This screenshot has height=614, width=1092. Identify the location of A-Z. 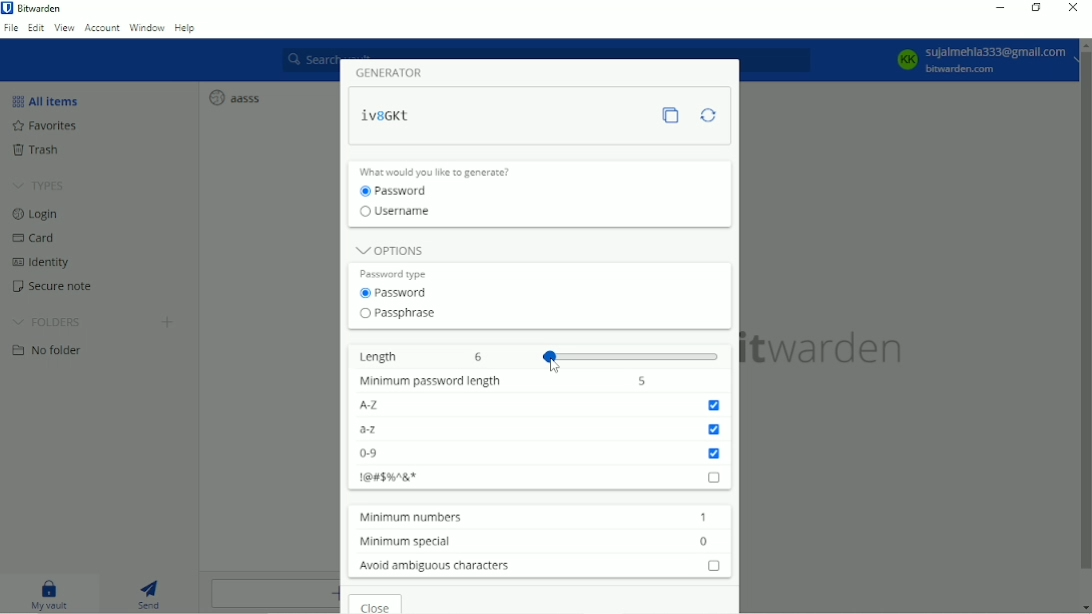
(542, 405).